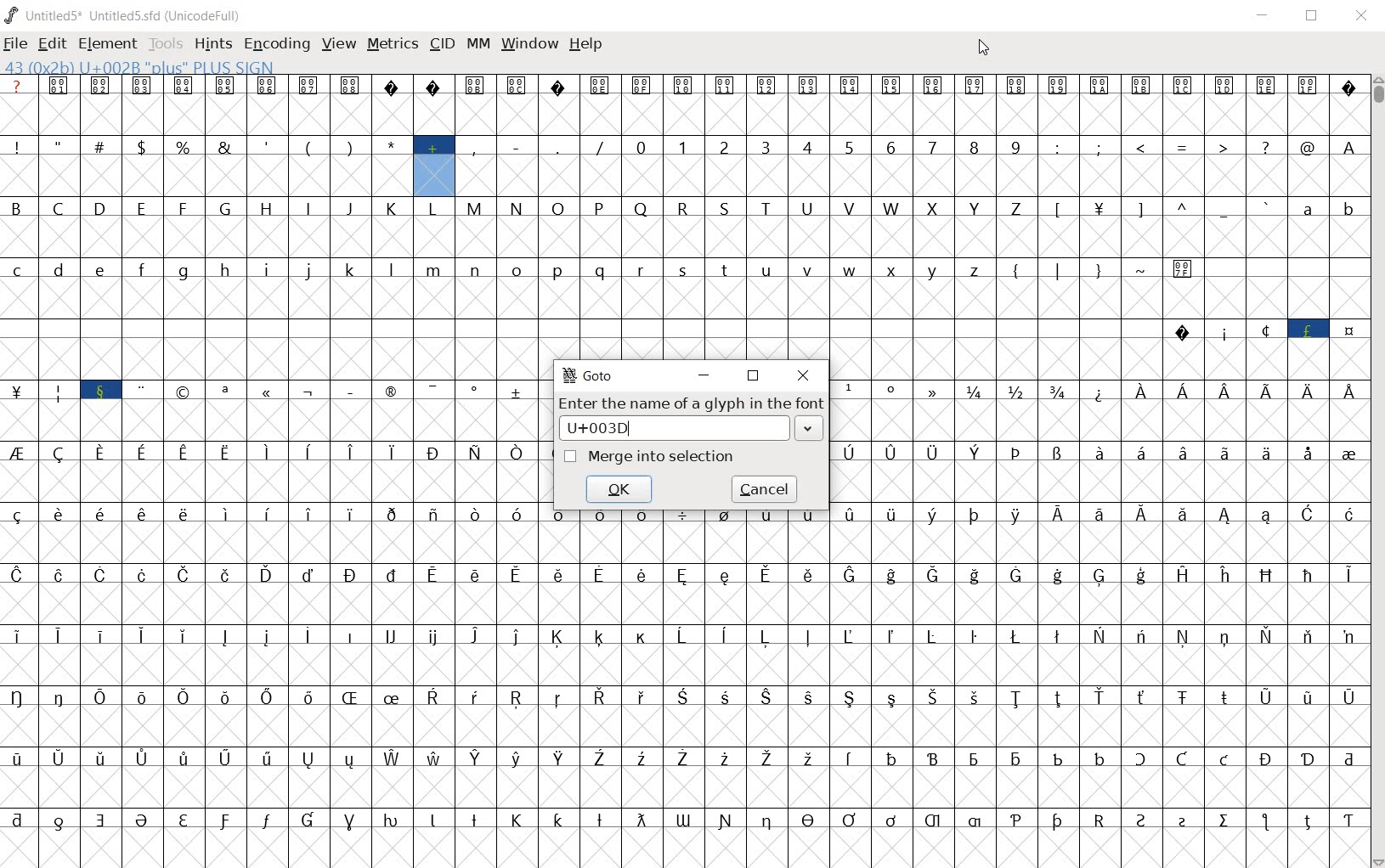 The height and width of the screenshot is (868, 1385). Describe the element at coordinates (1100, 471) in the screenshot. I see `glyph characters` at that location.